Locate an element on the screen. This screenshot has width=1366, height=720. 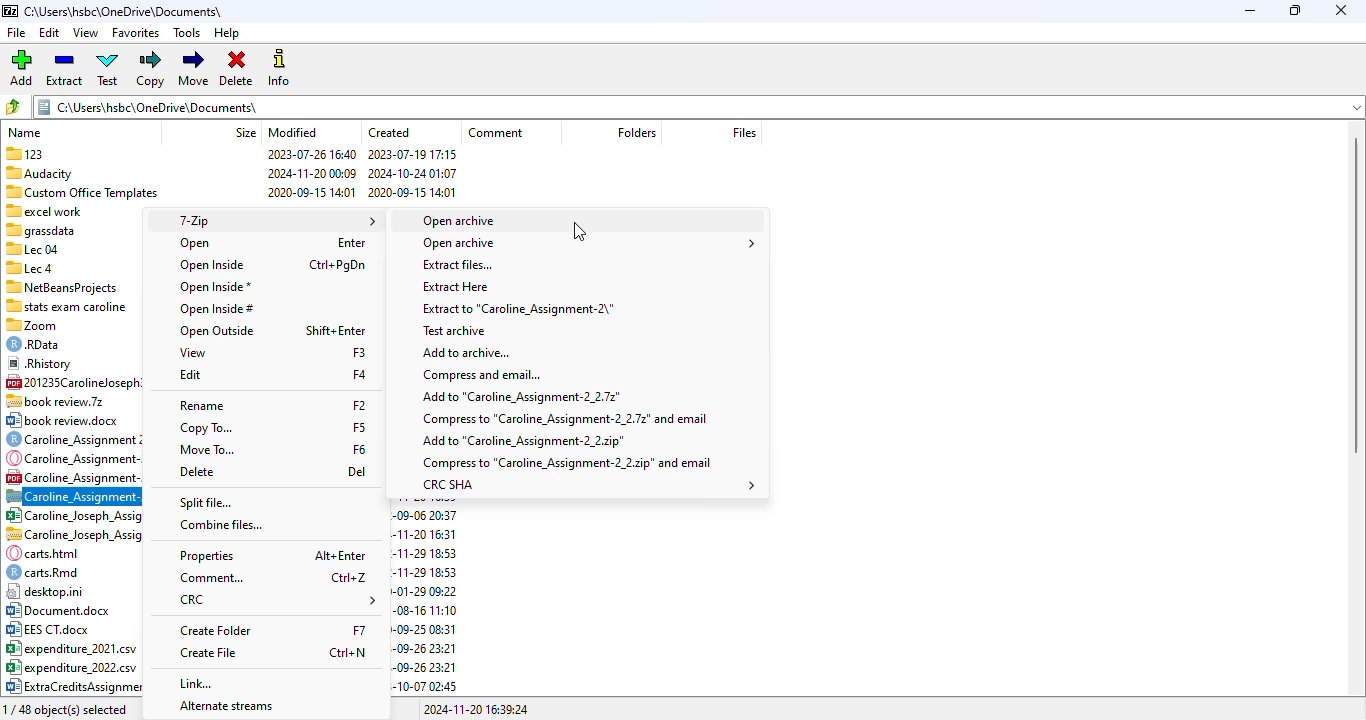
open is located at coordinates (196, 243).